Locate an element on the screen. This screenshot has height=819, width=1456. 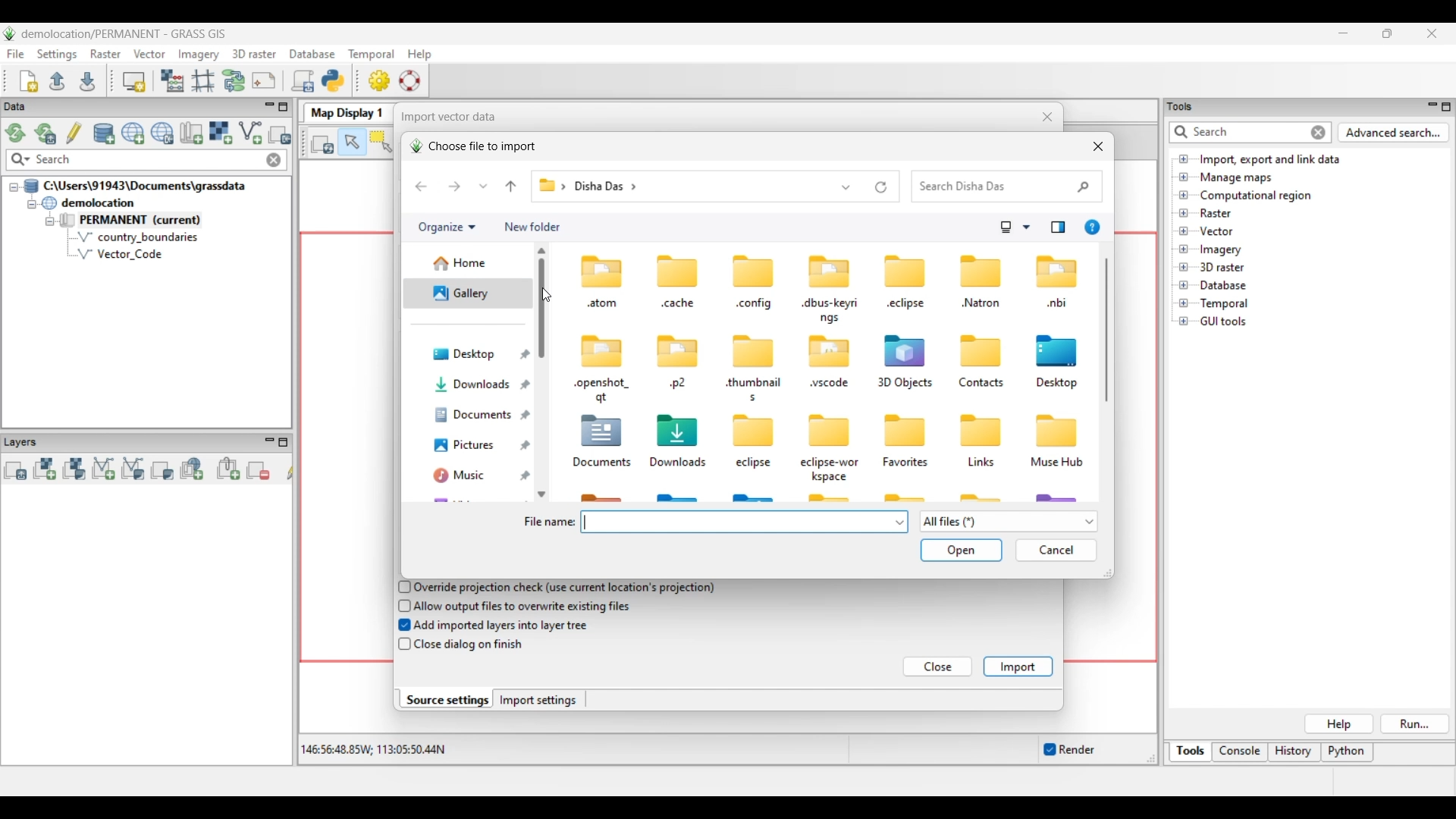
icon is located at coordinates (679, 270).